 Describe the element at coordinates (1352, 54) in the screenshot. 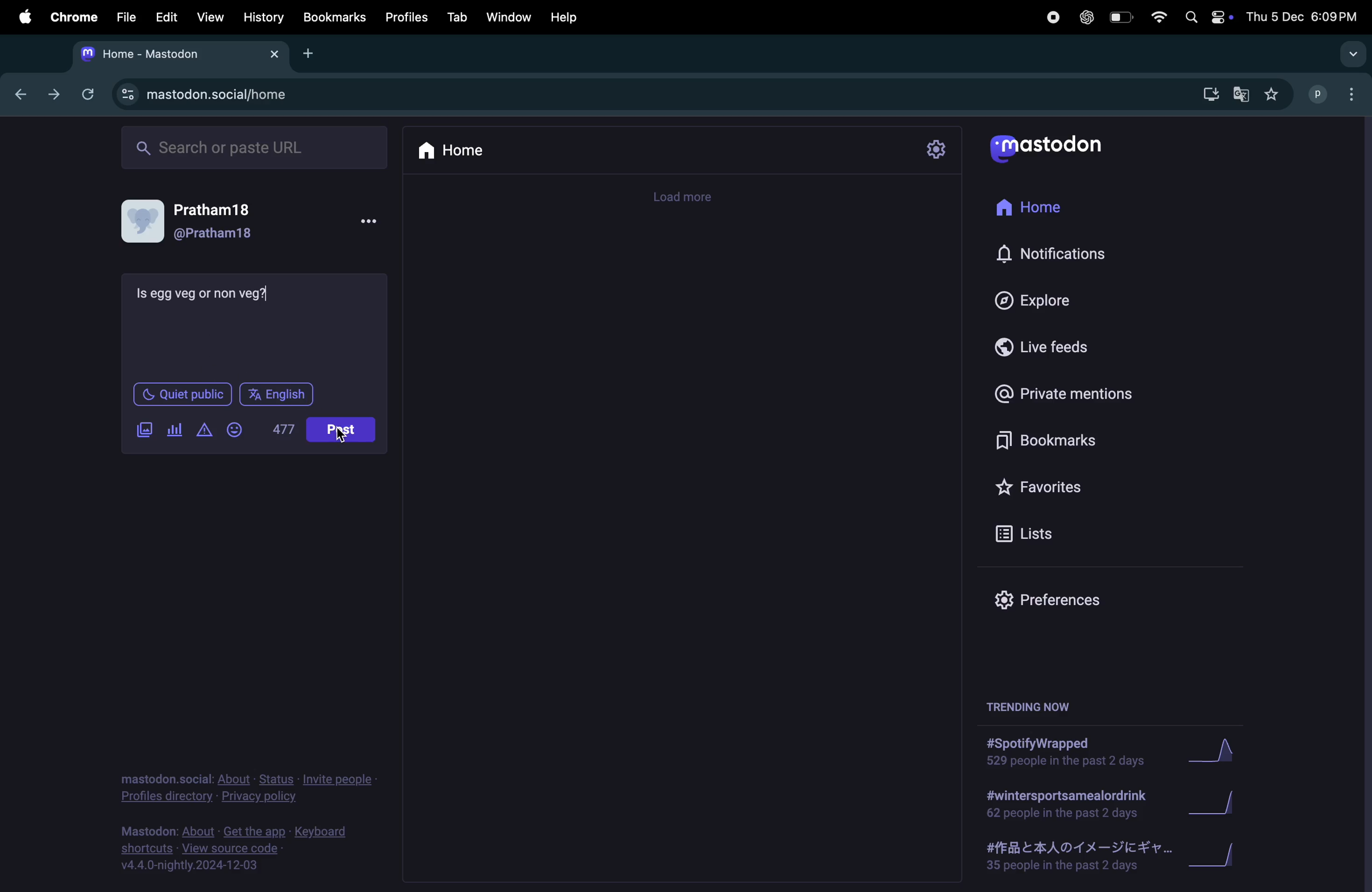

I see `show side bar` at that location.